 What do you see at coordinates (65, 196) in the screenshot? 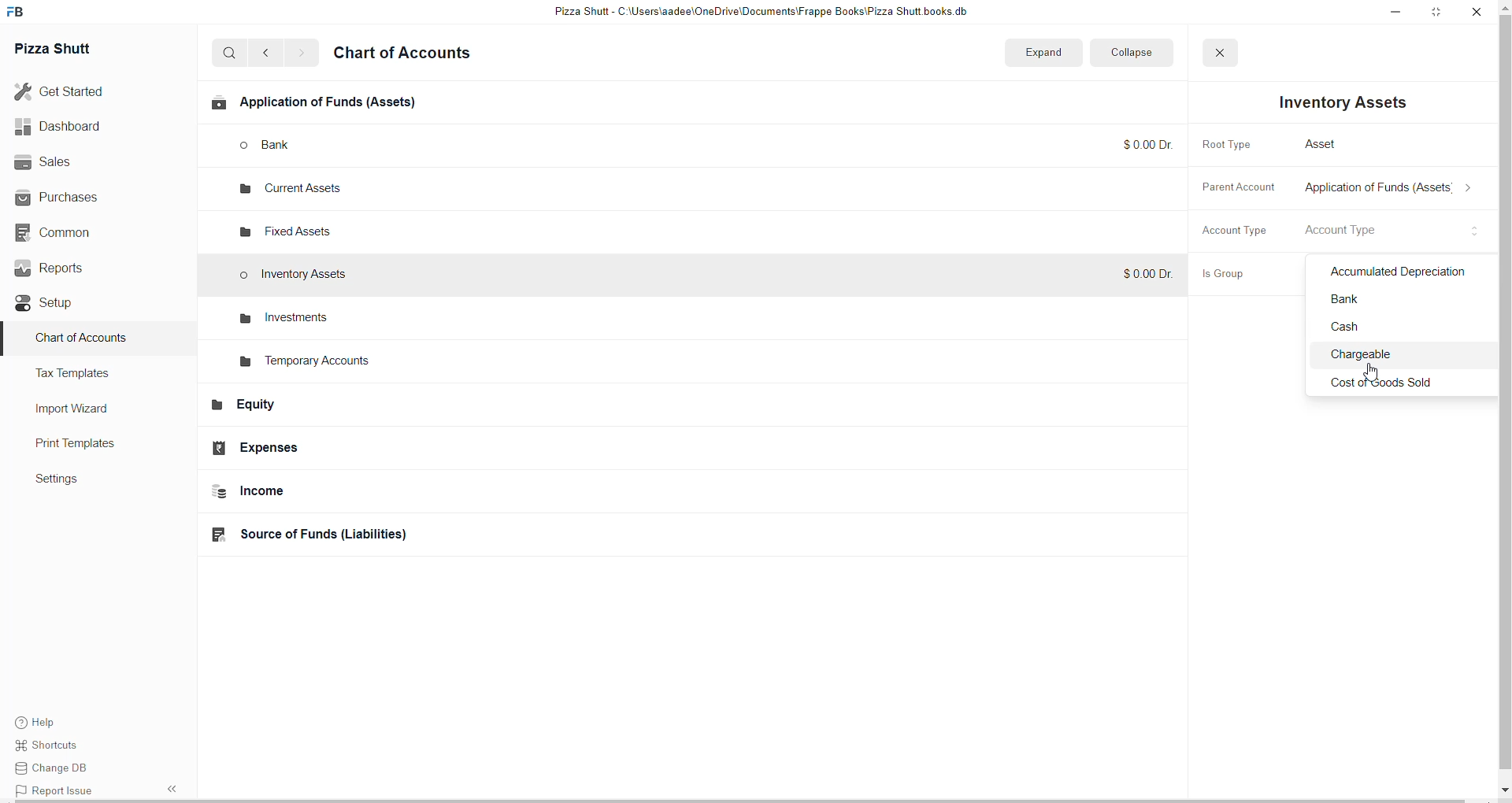
I see `Purchases ` at bounding box center [65, 196].